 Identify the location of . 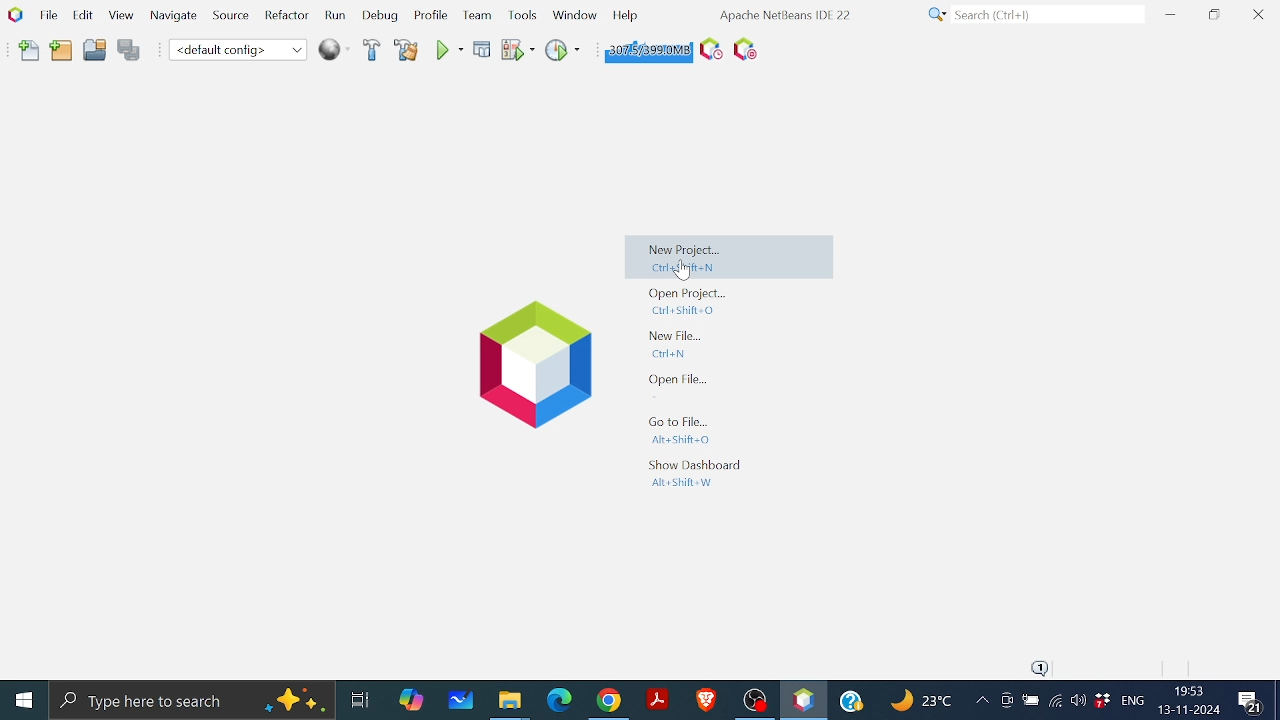
(574, 13).